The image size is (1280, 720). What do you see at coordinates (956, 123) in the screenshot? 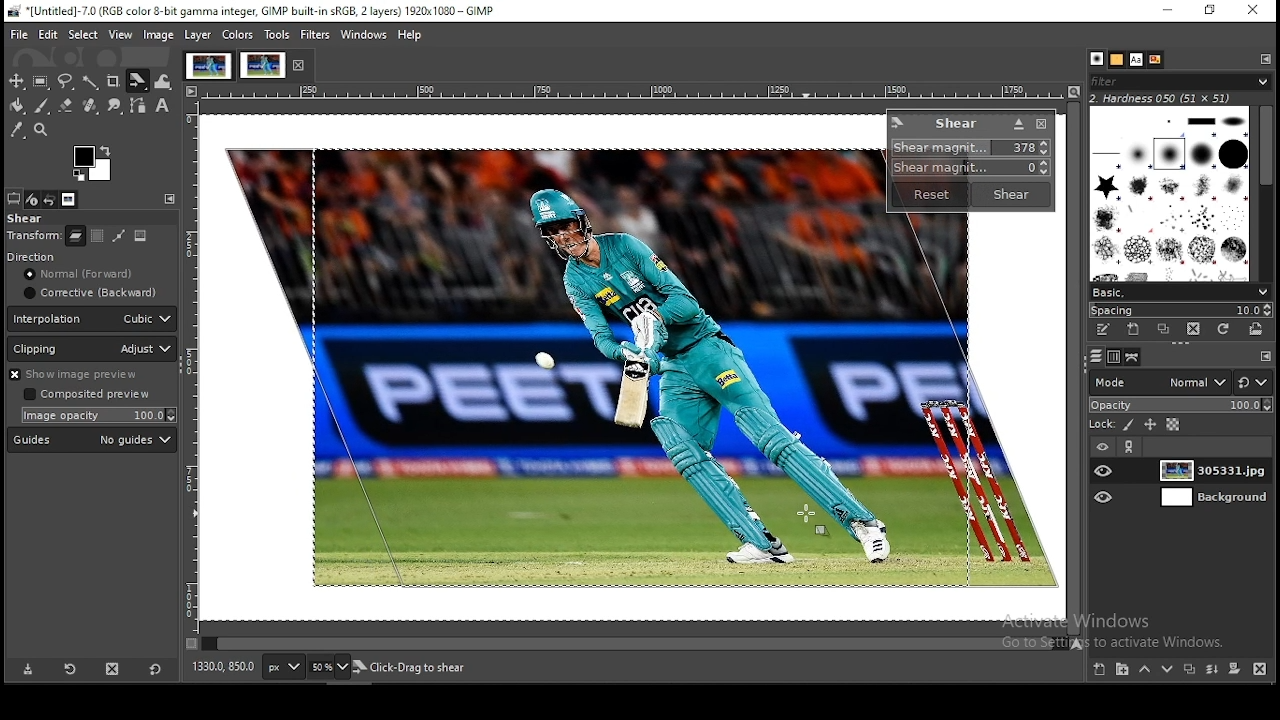
I see `shear` at bounding box center [956, 123].